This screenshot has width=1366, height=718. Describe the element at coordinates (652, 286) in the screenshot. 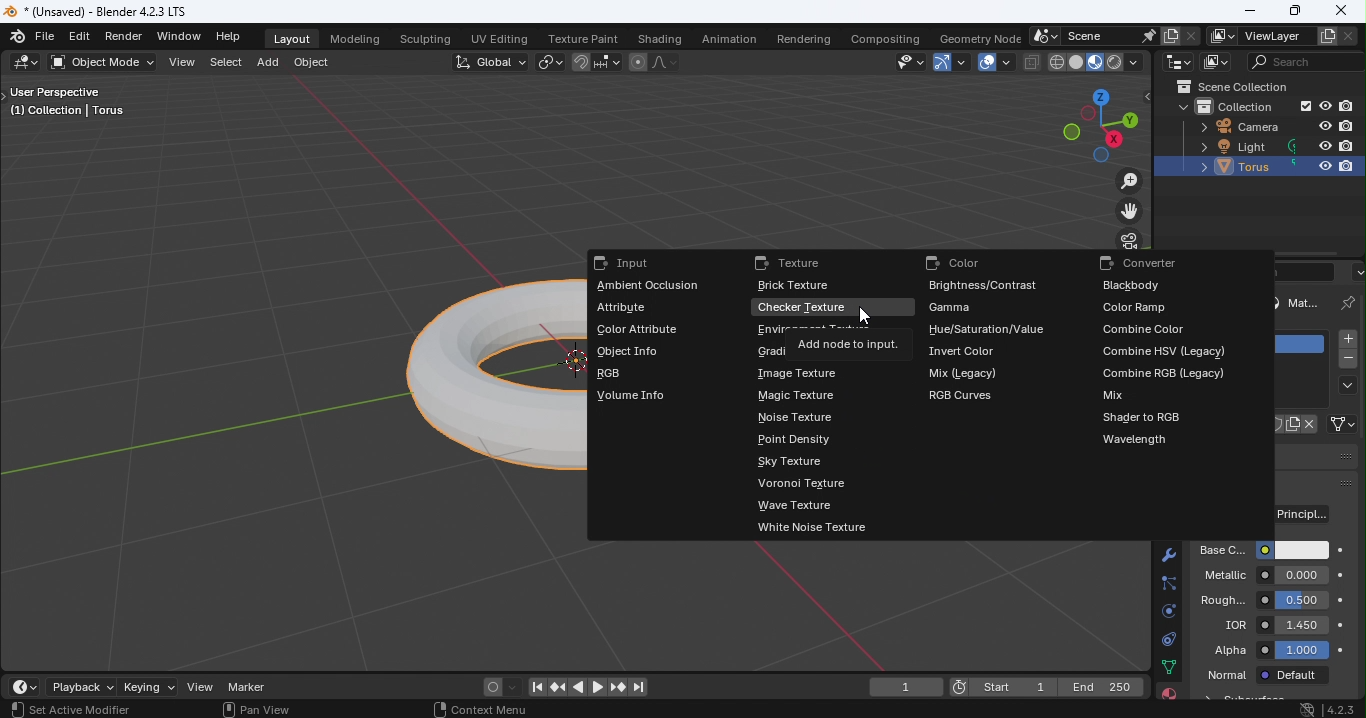

I see `Ambient occlusion` at that location.